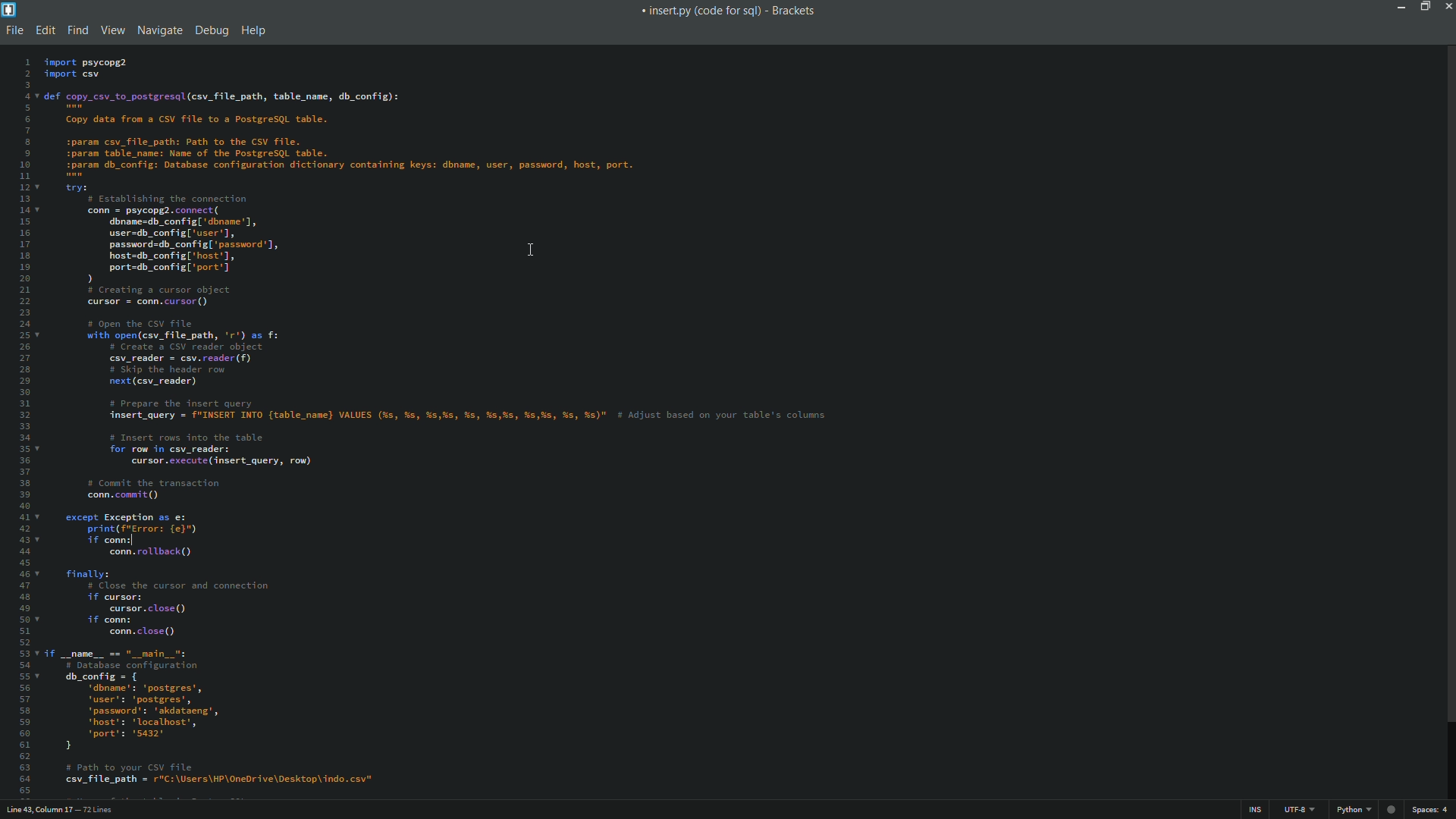  Describe the element at coordinates (1299, 810) in the screenshot. I see `file encoding` at that location.